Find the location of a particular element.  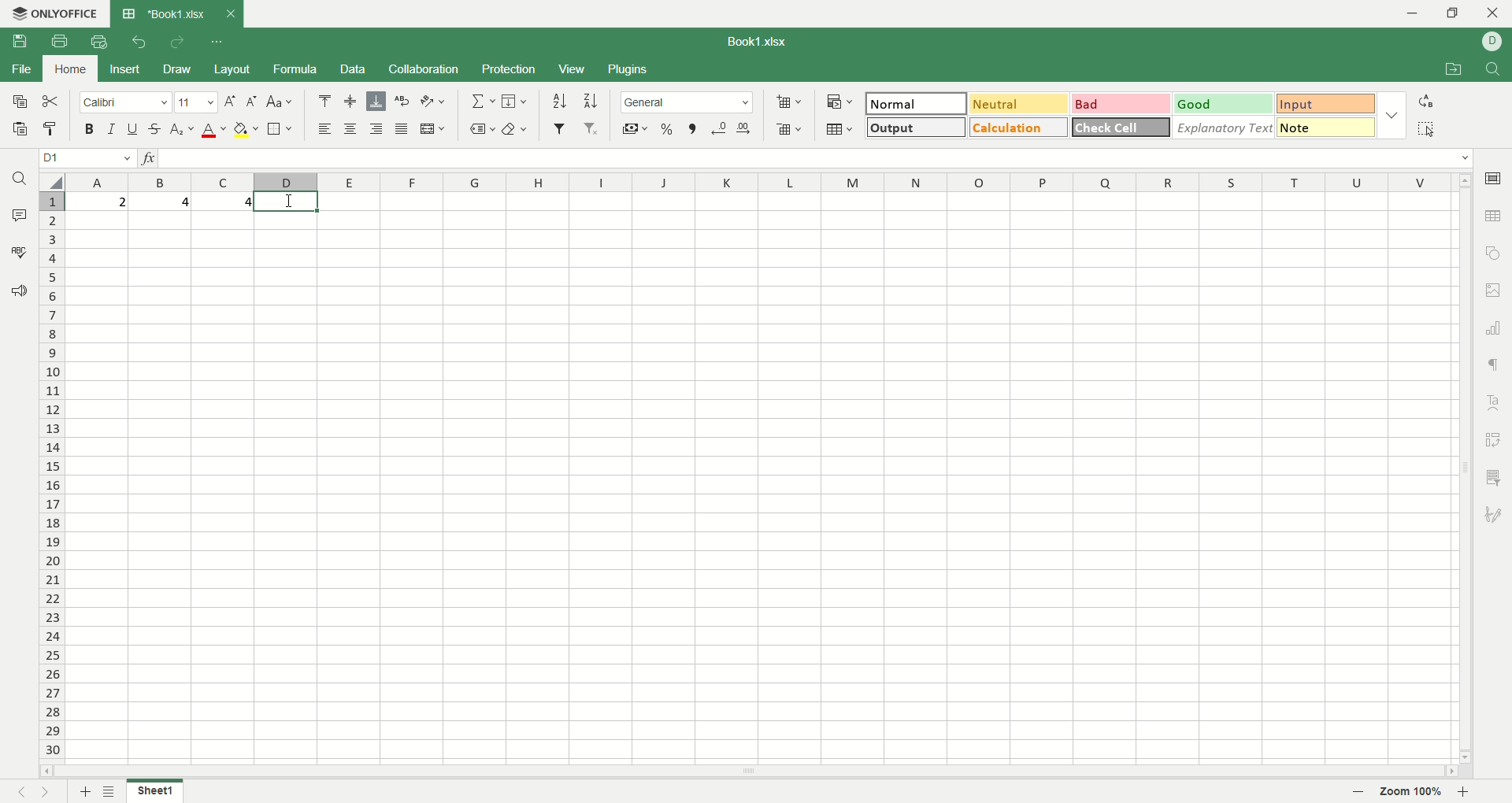

column is located at coordinates (763, 182).